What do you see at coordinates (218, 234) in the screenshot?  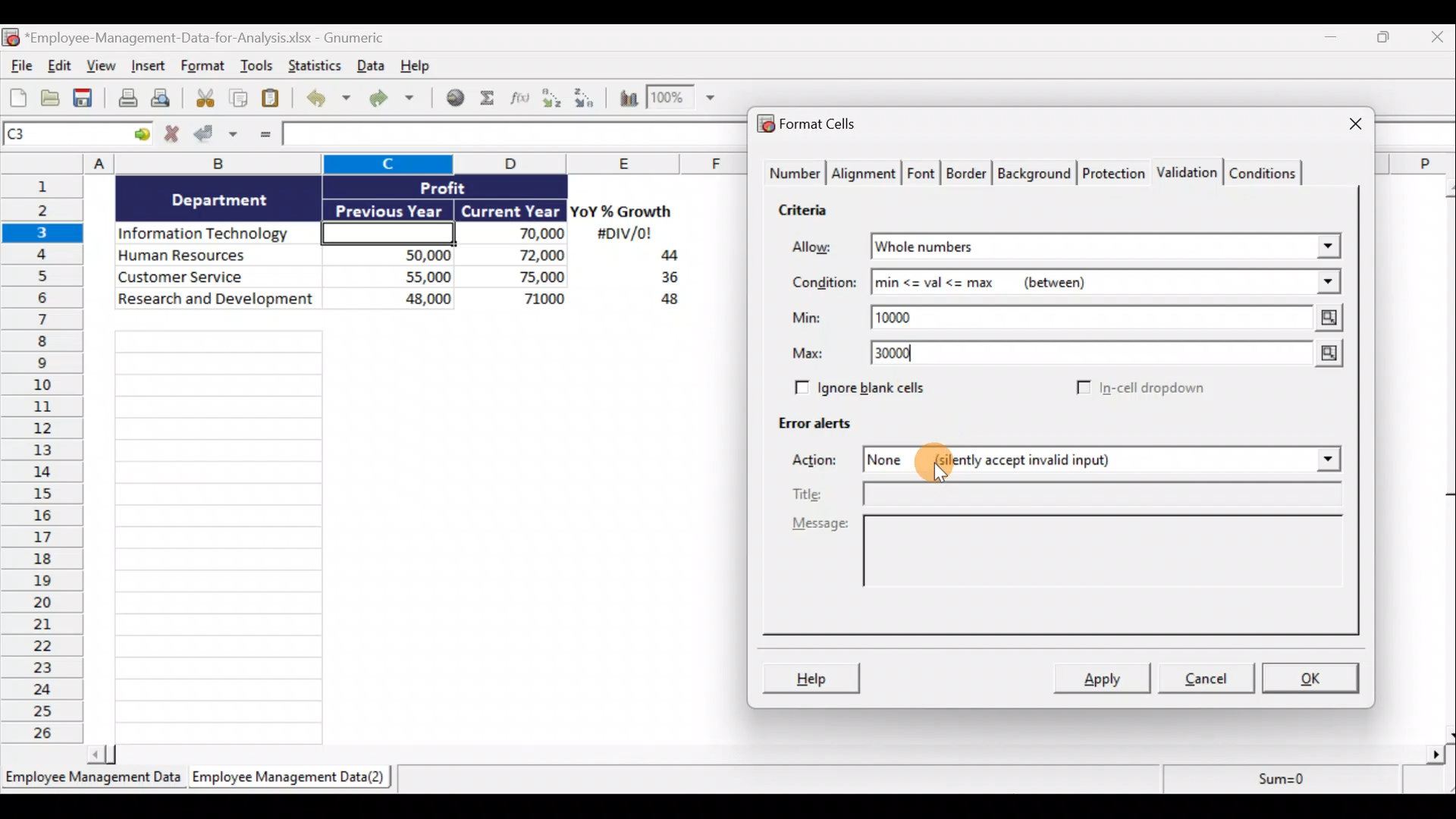 I see `Information Technology` at bounding box center [218, 234].